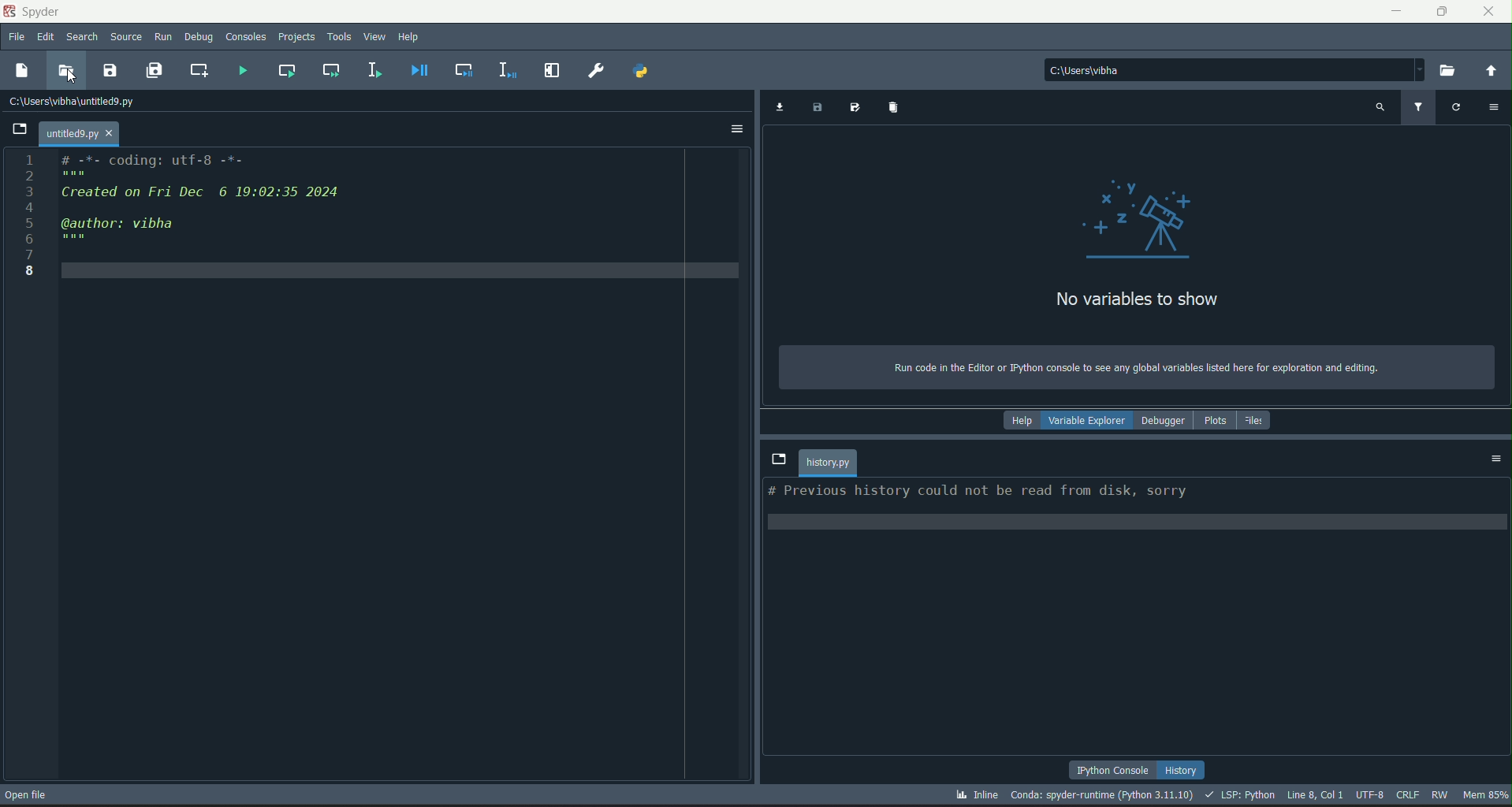  Describe the element at coordinates (78, 133) in the screenshot. I see `file name` at that location.